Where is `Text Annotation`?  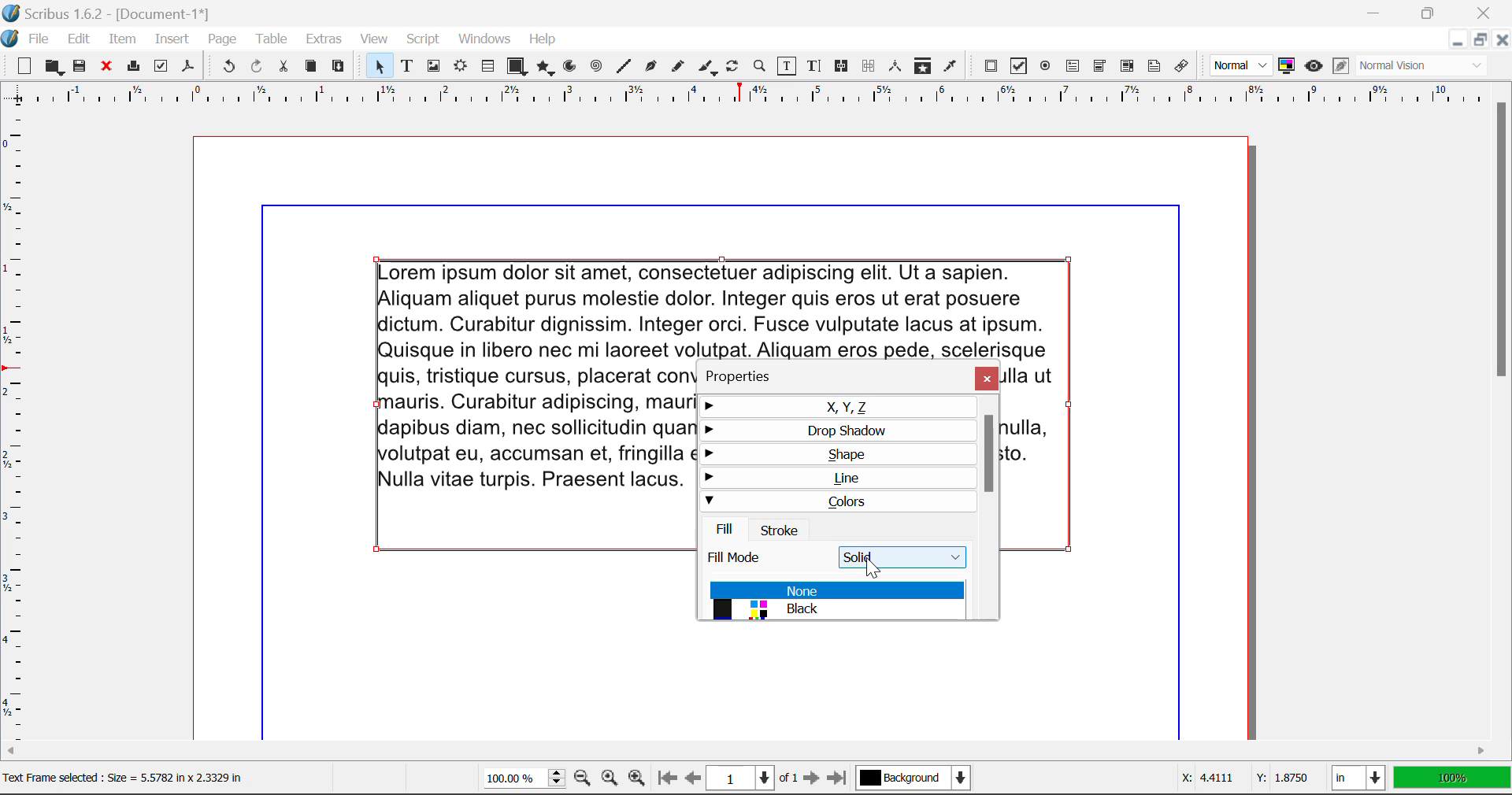
Text Annotation is located at coordinates (1157, 67).